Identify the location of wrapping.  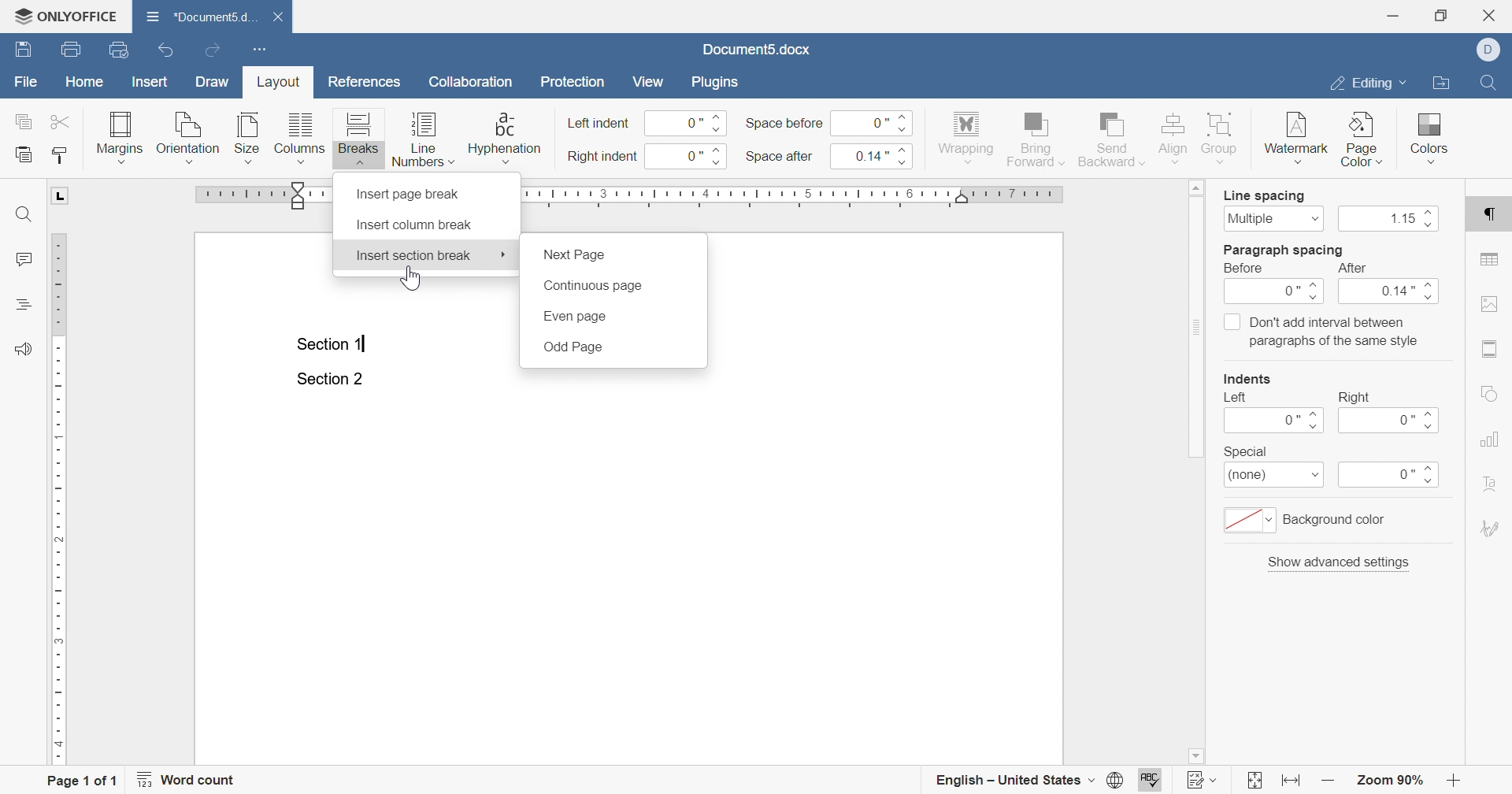
(966, 139).